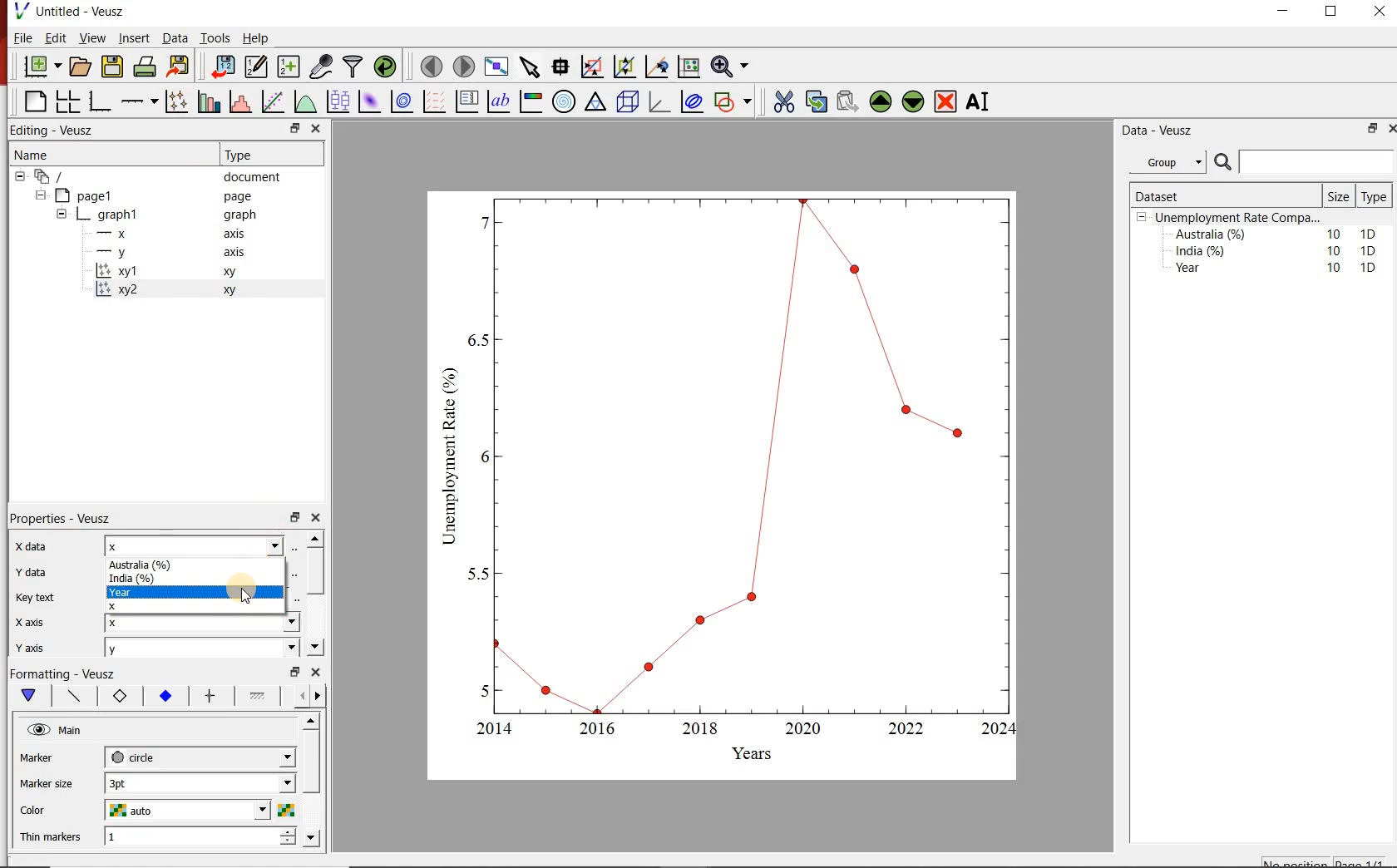 The width and height of the screenshot is (1397, 868). I want to click on marker border, so click(119, 697).